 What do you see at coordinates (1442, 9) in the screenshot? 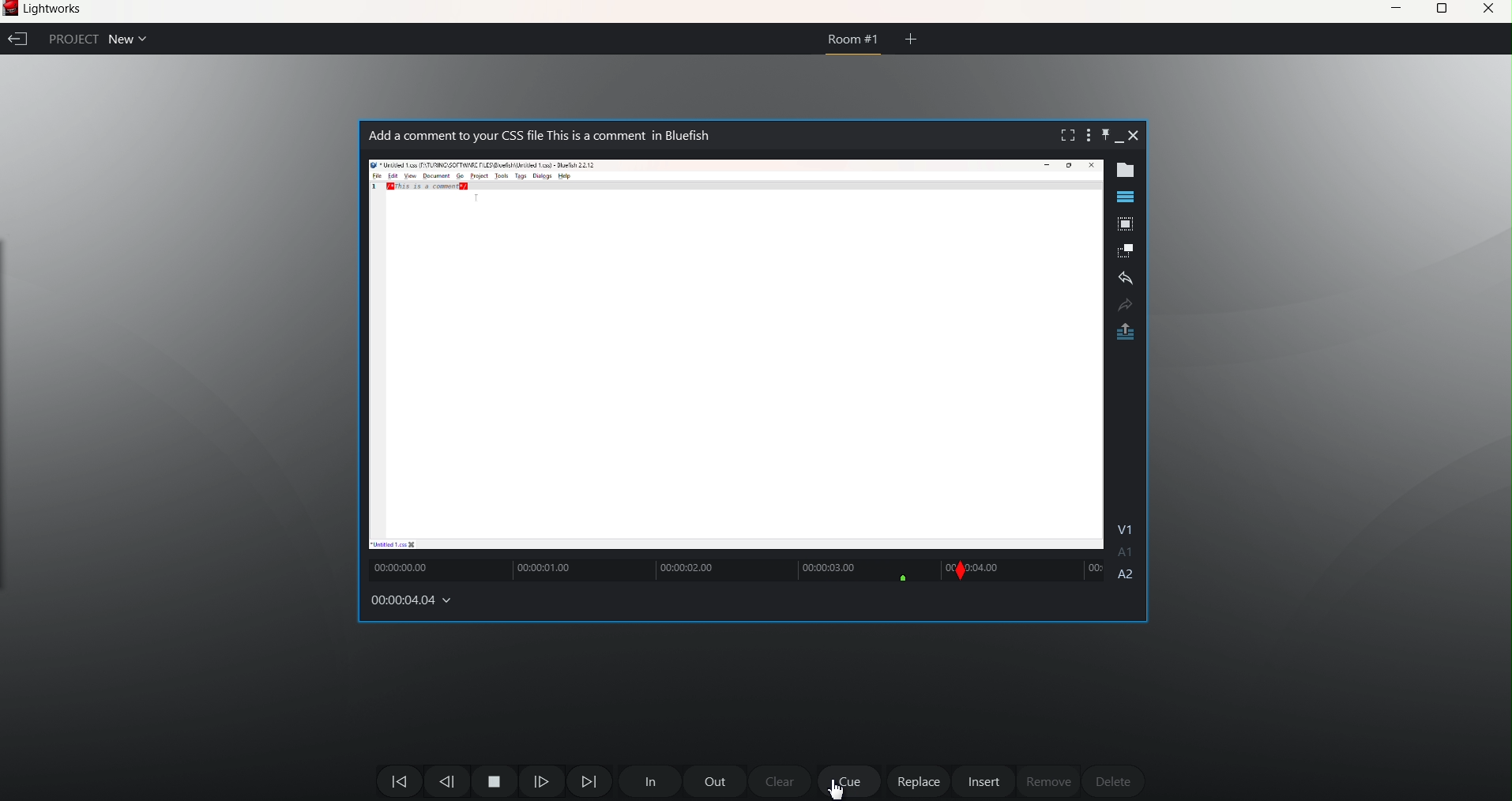
I see `maximize` at bounding box center [1442, 9].